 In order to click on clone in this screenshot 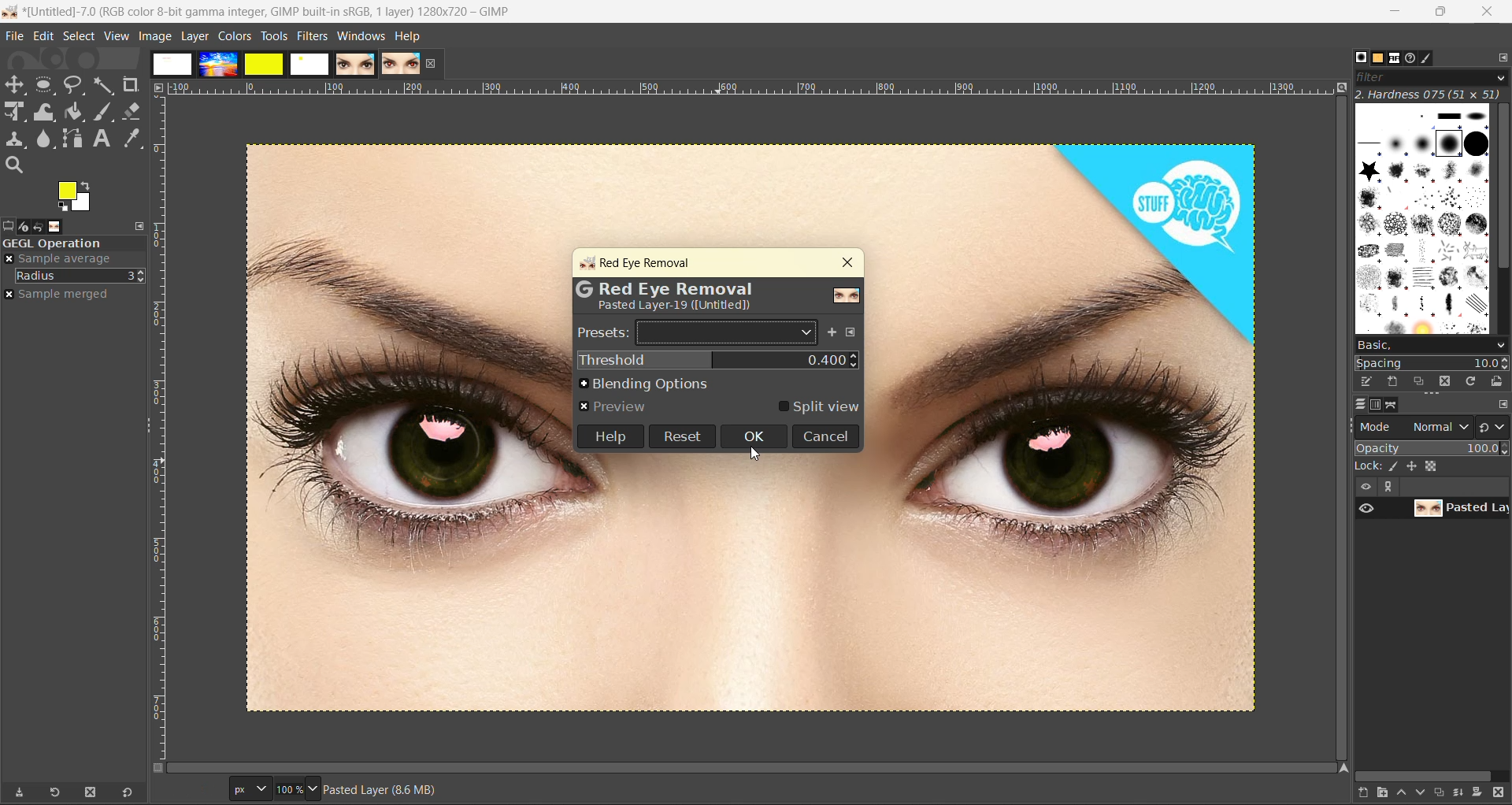, I will do `click(17, 139)`.